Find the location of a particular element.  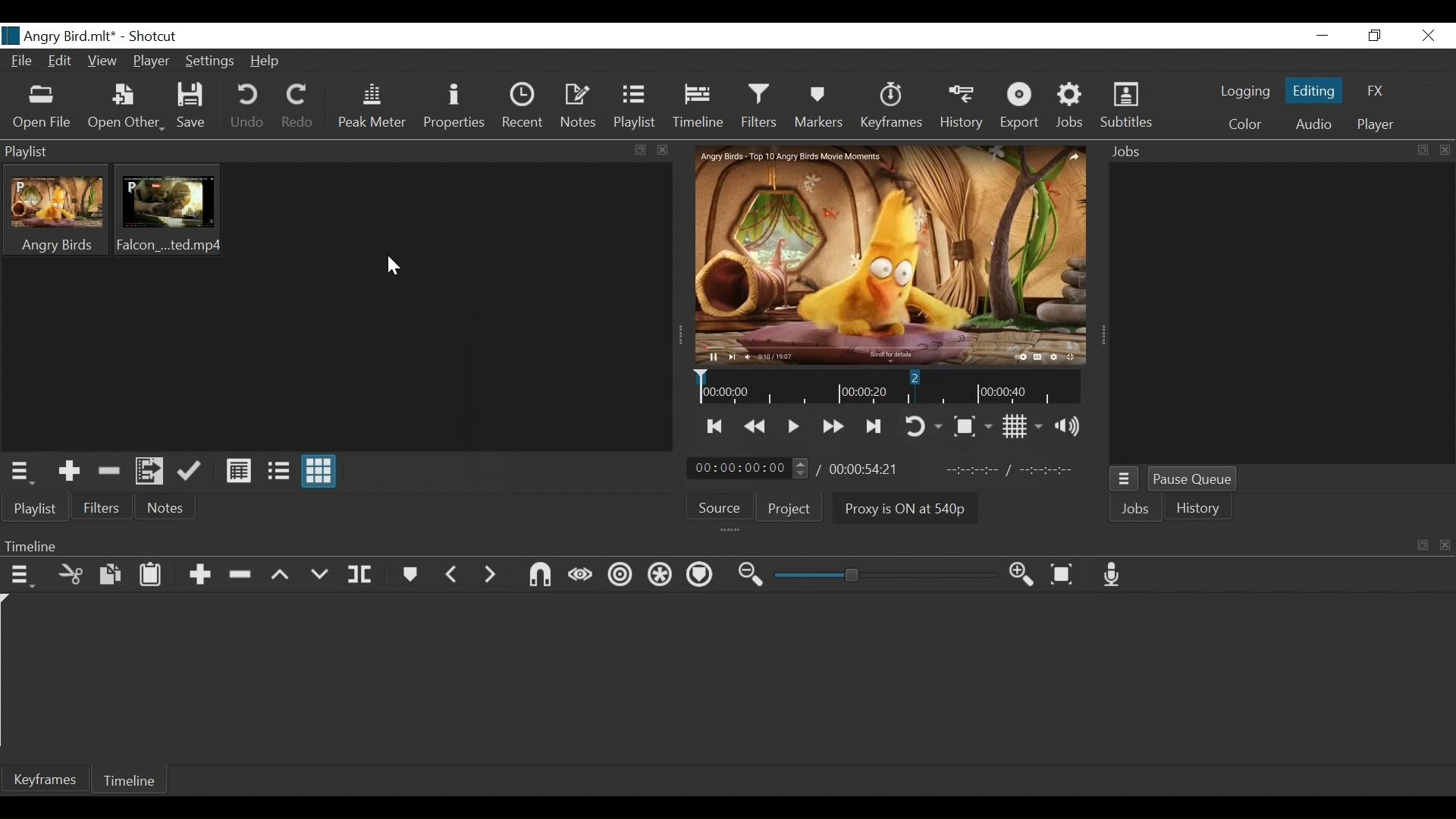

Edit is located at coordinates (61, 61).